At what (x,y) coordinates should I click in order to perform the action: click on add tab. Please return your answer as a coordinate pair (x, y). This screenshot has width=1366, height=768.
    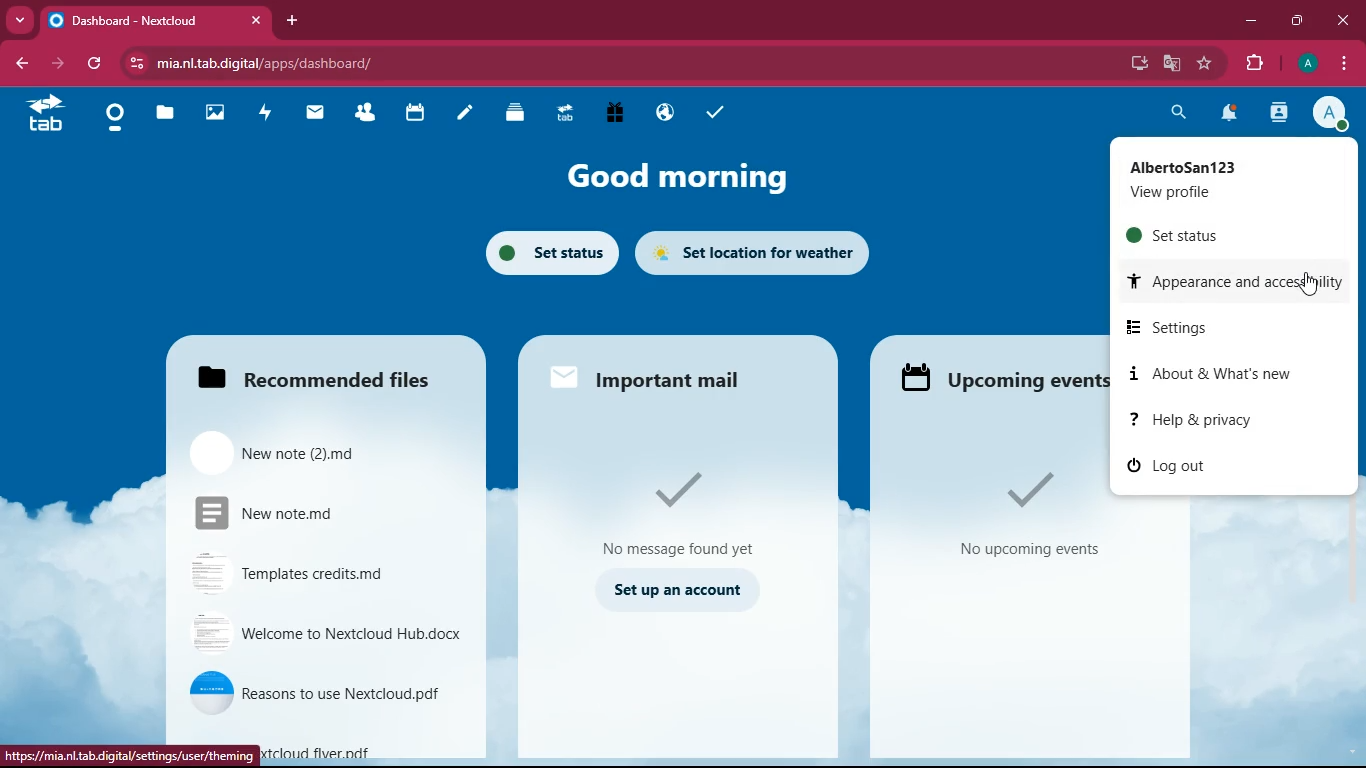
    Looking at the image, I should click on (289, 20).